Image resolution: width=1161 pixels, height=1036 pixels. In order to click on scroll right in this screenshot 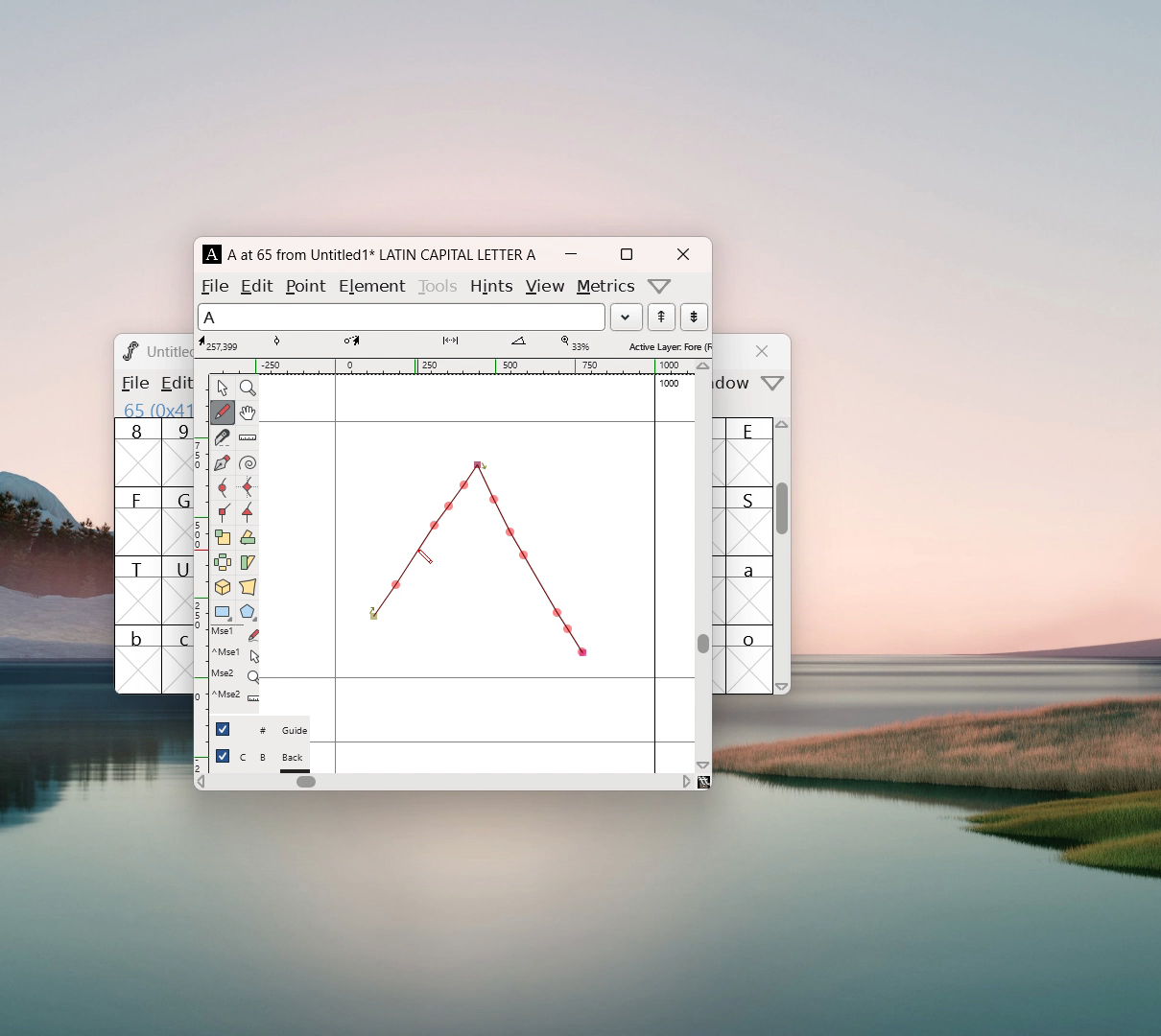, I will do `click(686, 781)`.